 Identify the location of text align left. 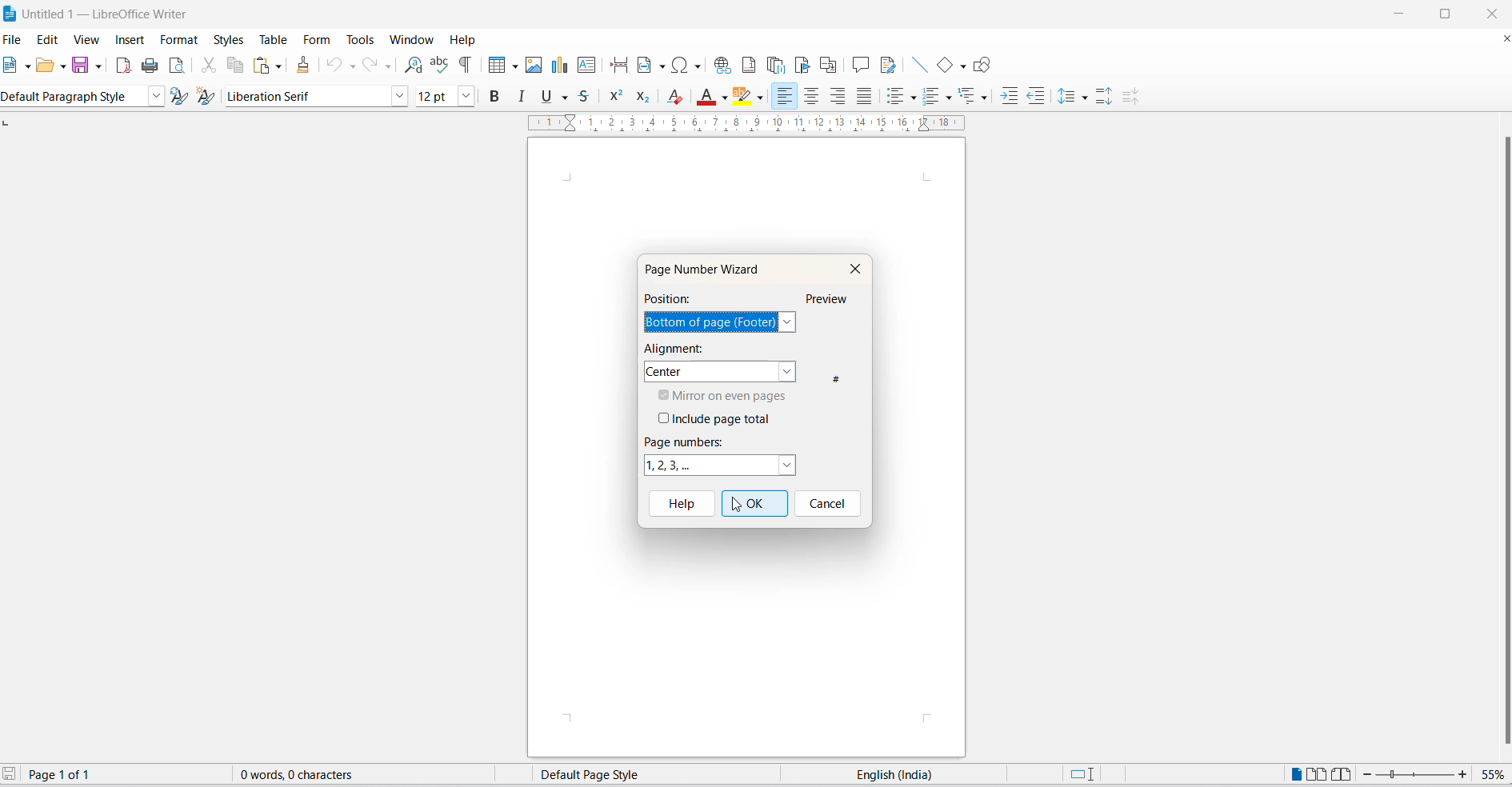
(785, 98).